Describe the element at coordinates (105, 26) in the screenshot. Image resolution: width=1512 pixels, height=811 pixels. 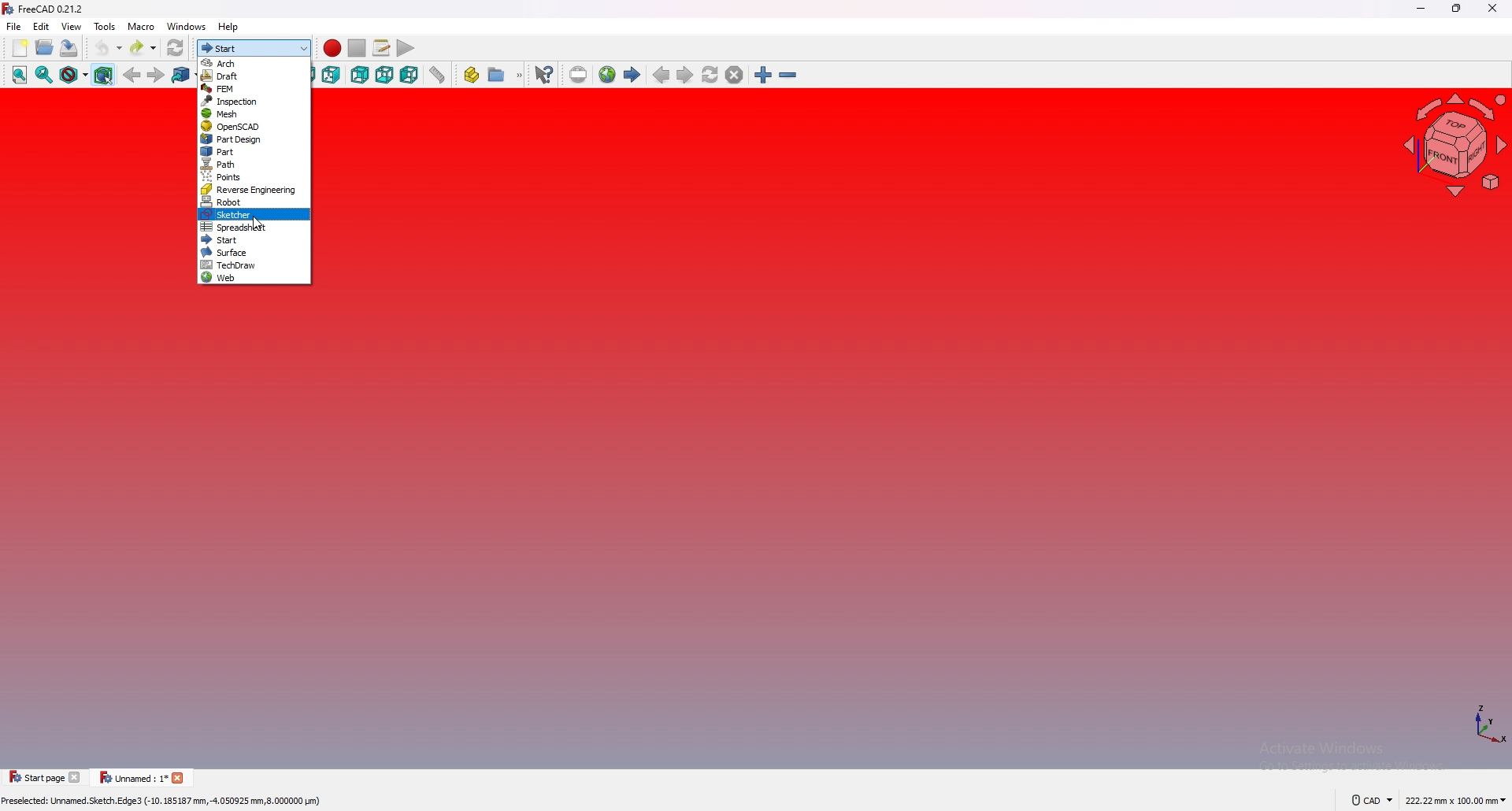
I see `tools` at that location.